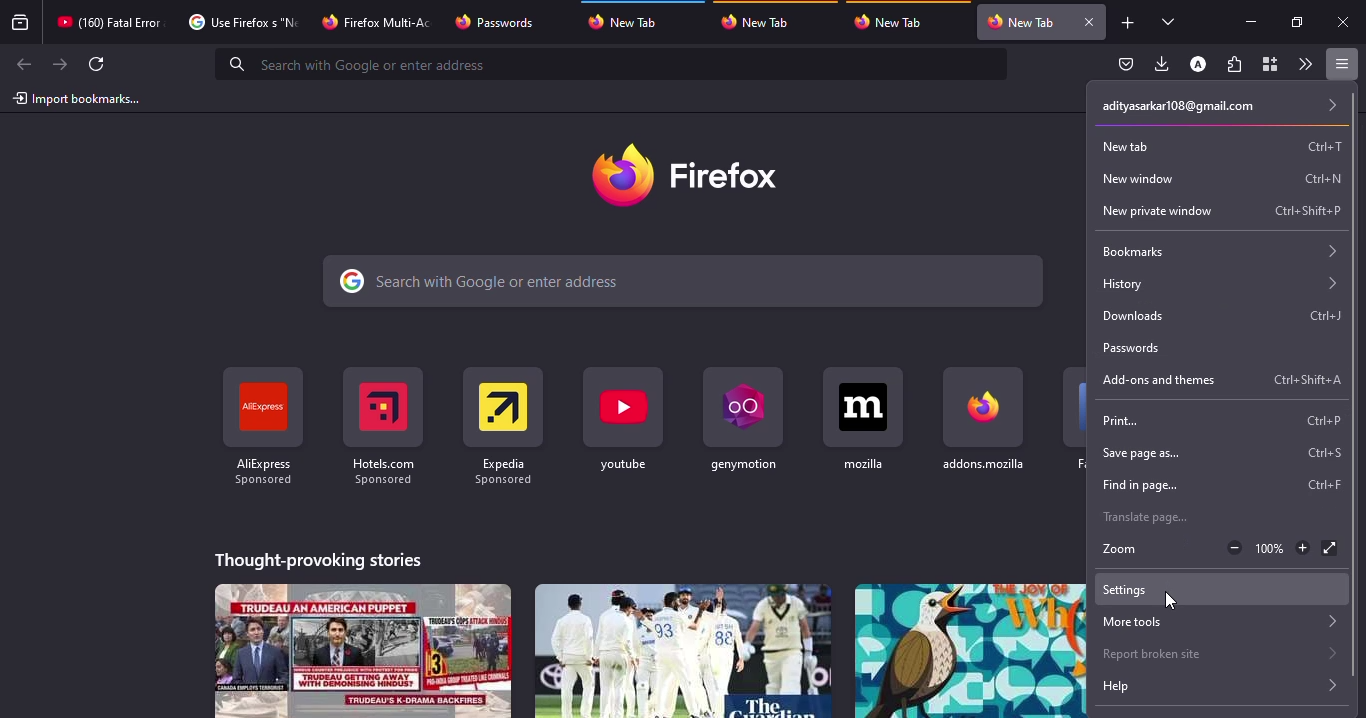  What do you see at coordinates (1152, 210) in the screenshot?
I see `private` at bounding box center [1152, 210].